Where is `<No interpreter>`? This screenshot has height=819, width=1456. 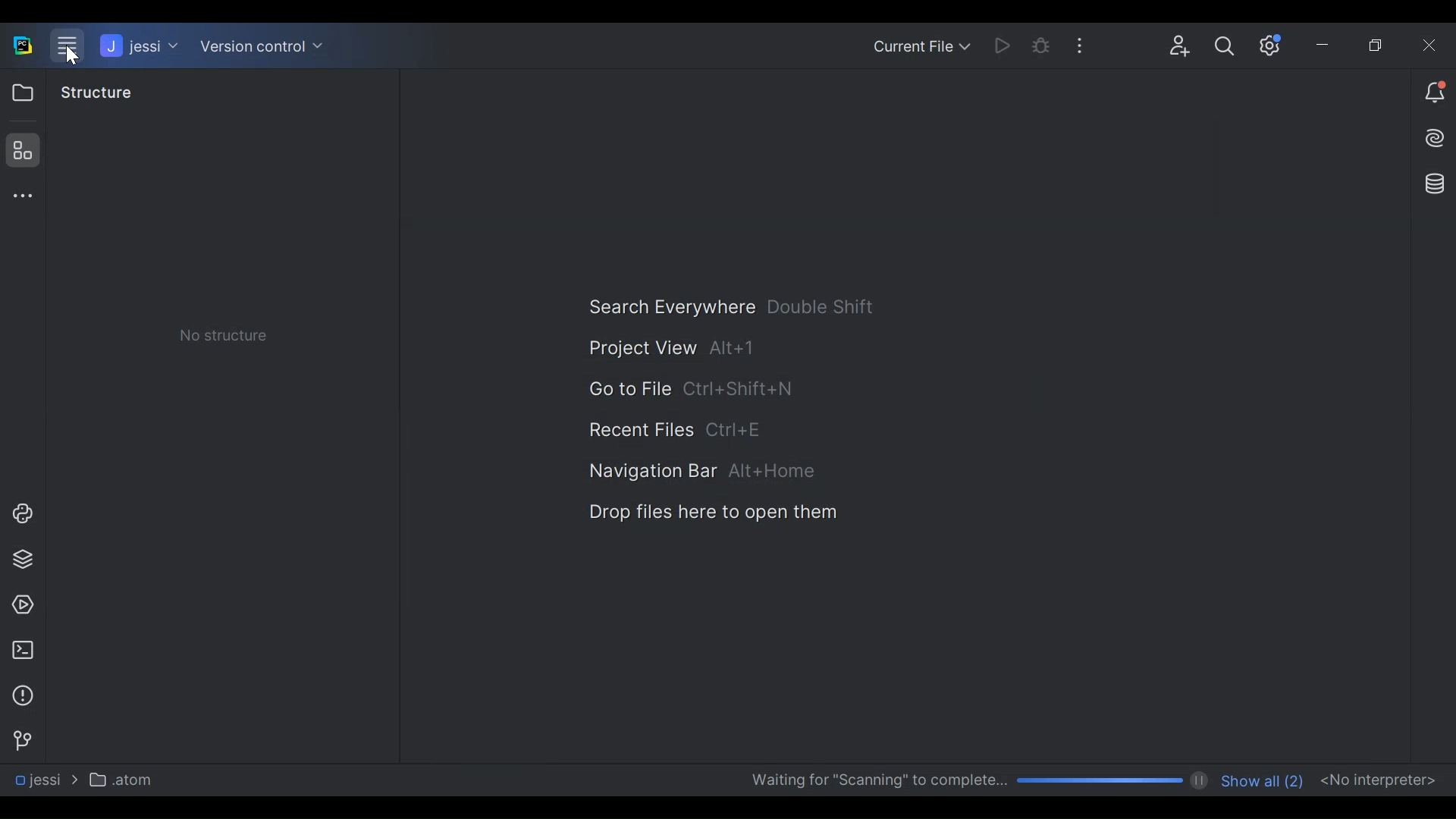 <No interpreter> is located at coordinates (1377, 780).